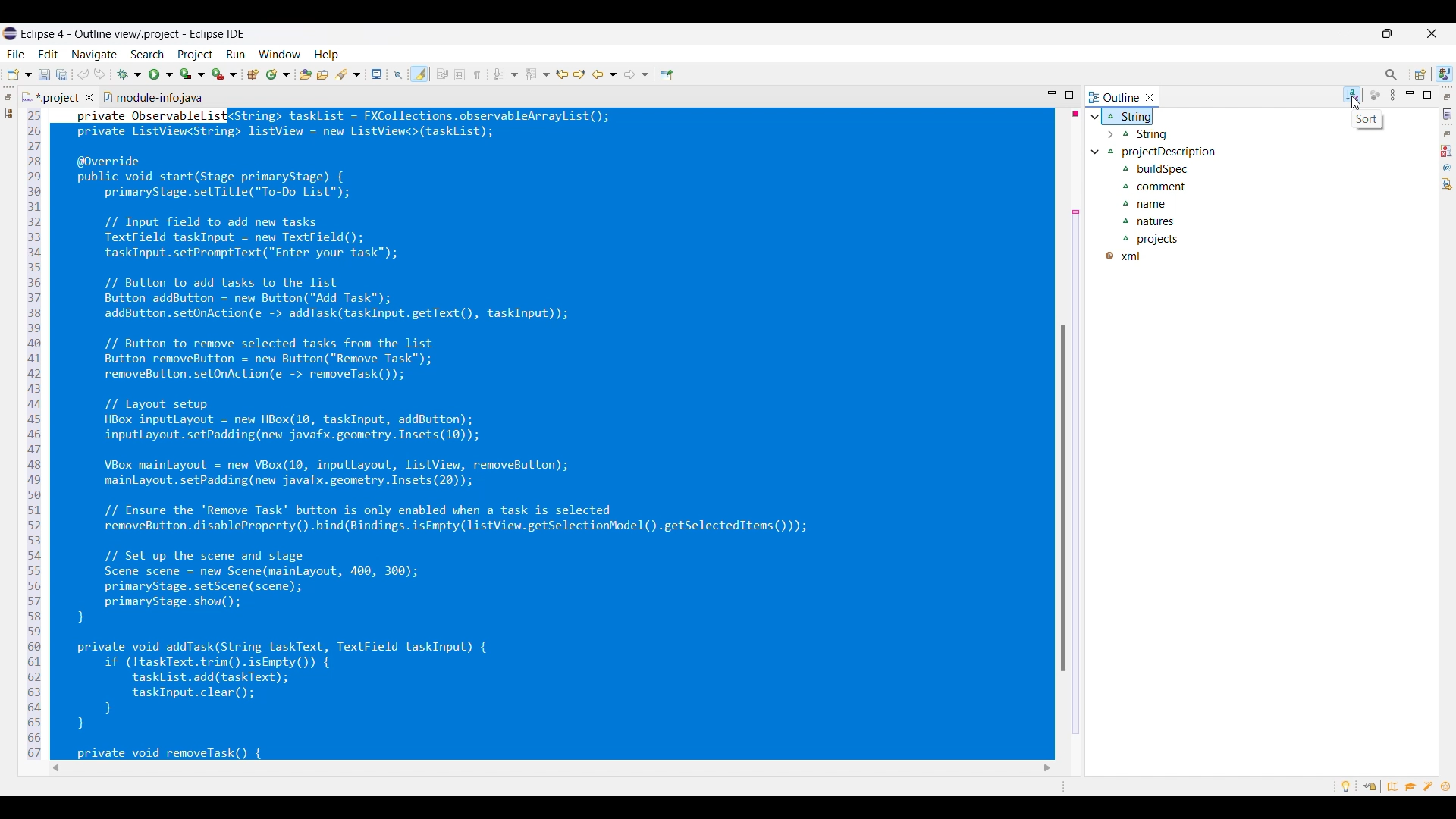 This screenshot has width=1456, height=819. Describe the element at coordinates (196, 55) in the screenshot. I see `Project menu` at that location.